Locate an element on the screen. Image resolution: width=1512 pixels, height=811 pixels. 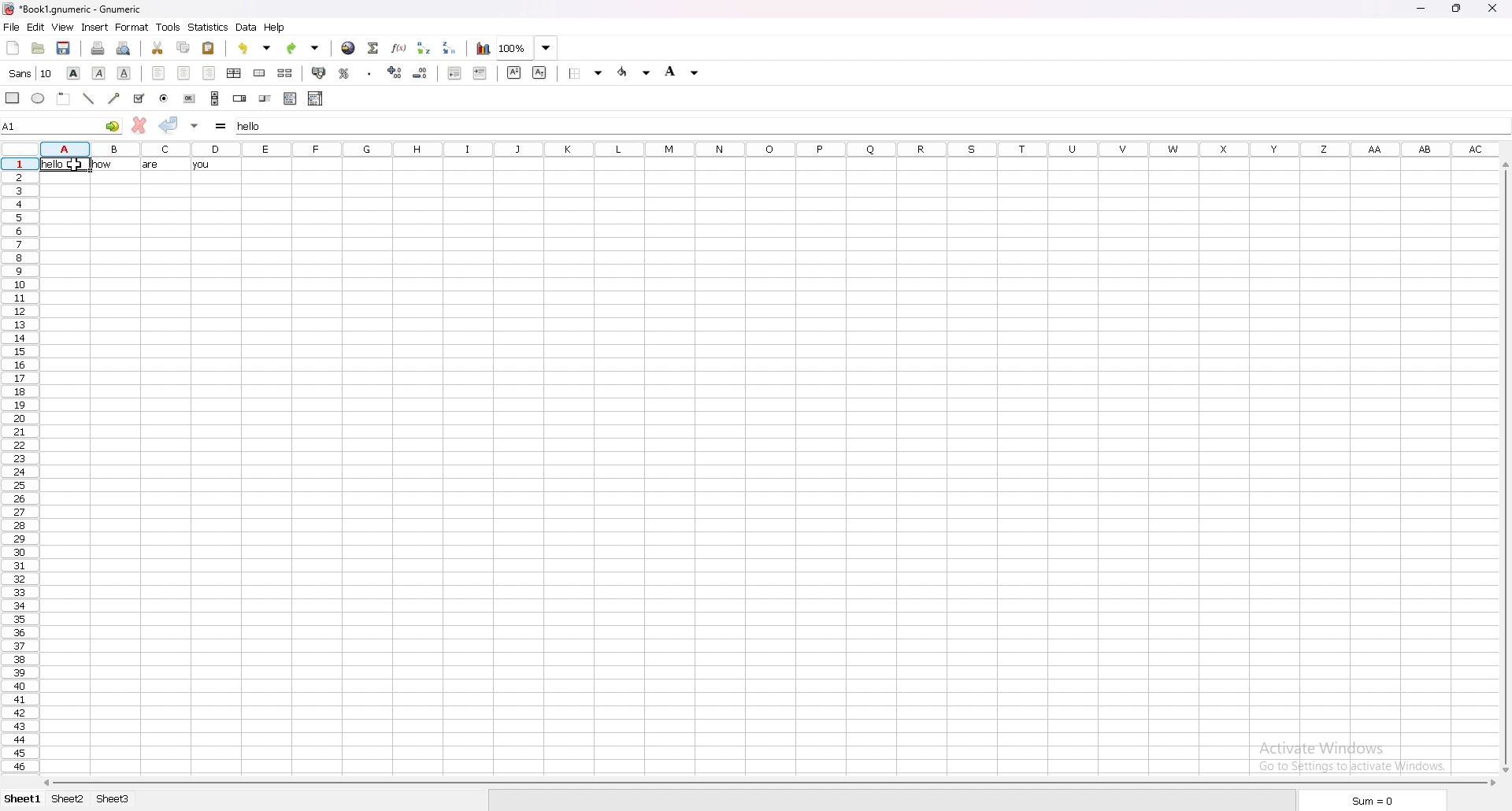
list is located at coordinates (290, 99).